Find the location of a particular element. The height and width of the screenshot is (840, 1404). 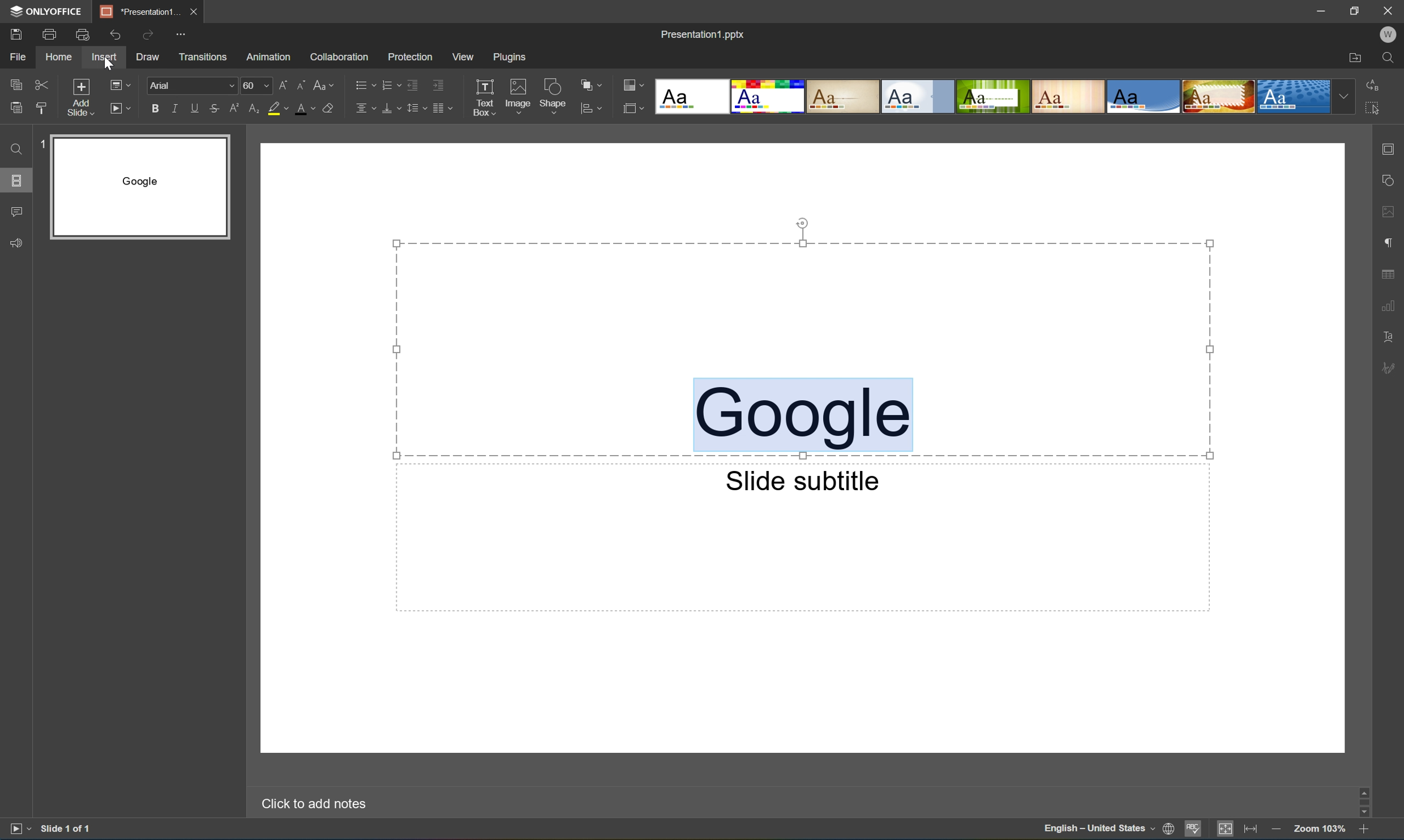

Draw is located at coordinates (147, 57).